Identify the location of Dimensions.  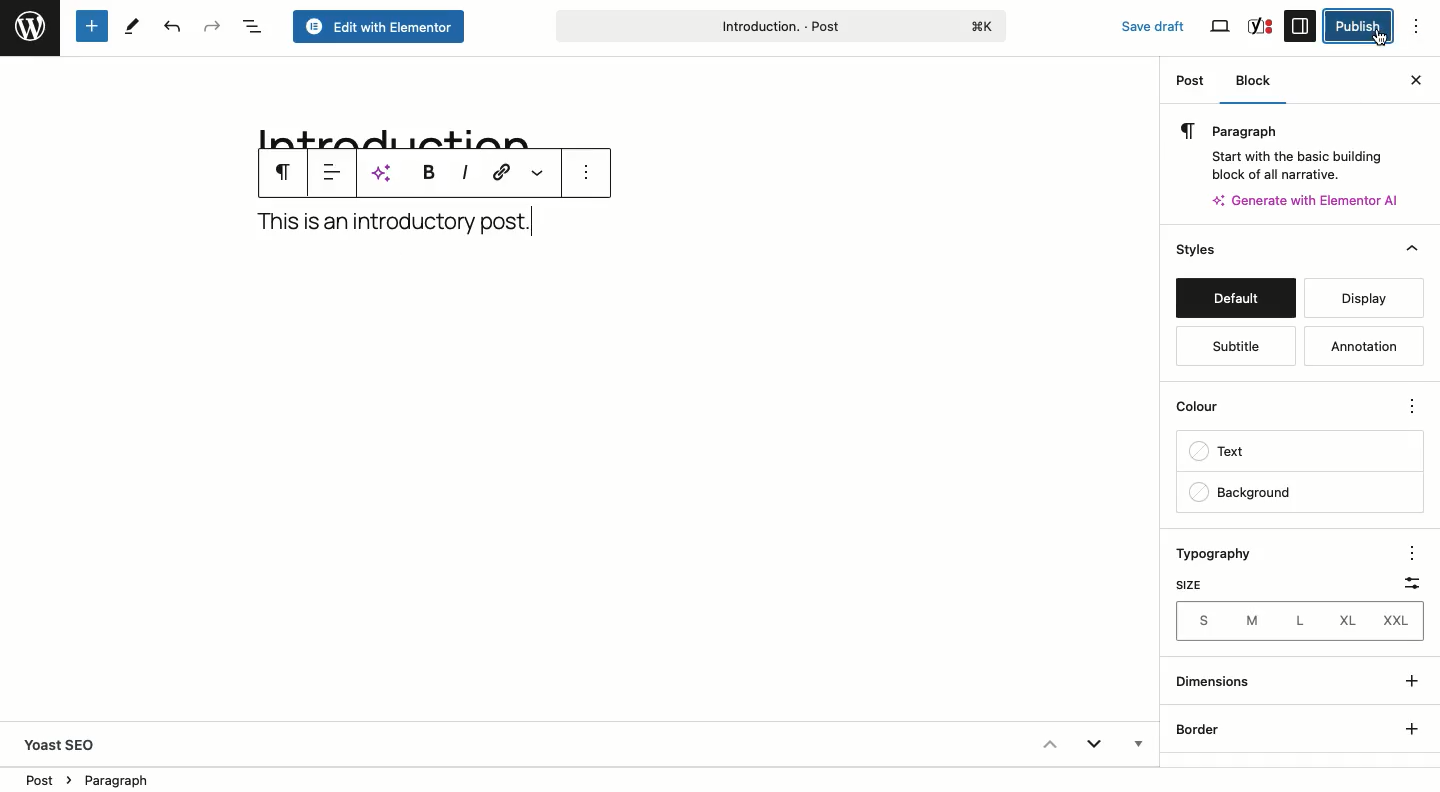
(1218, 681).